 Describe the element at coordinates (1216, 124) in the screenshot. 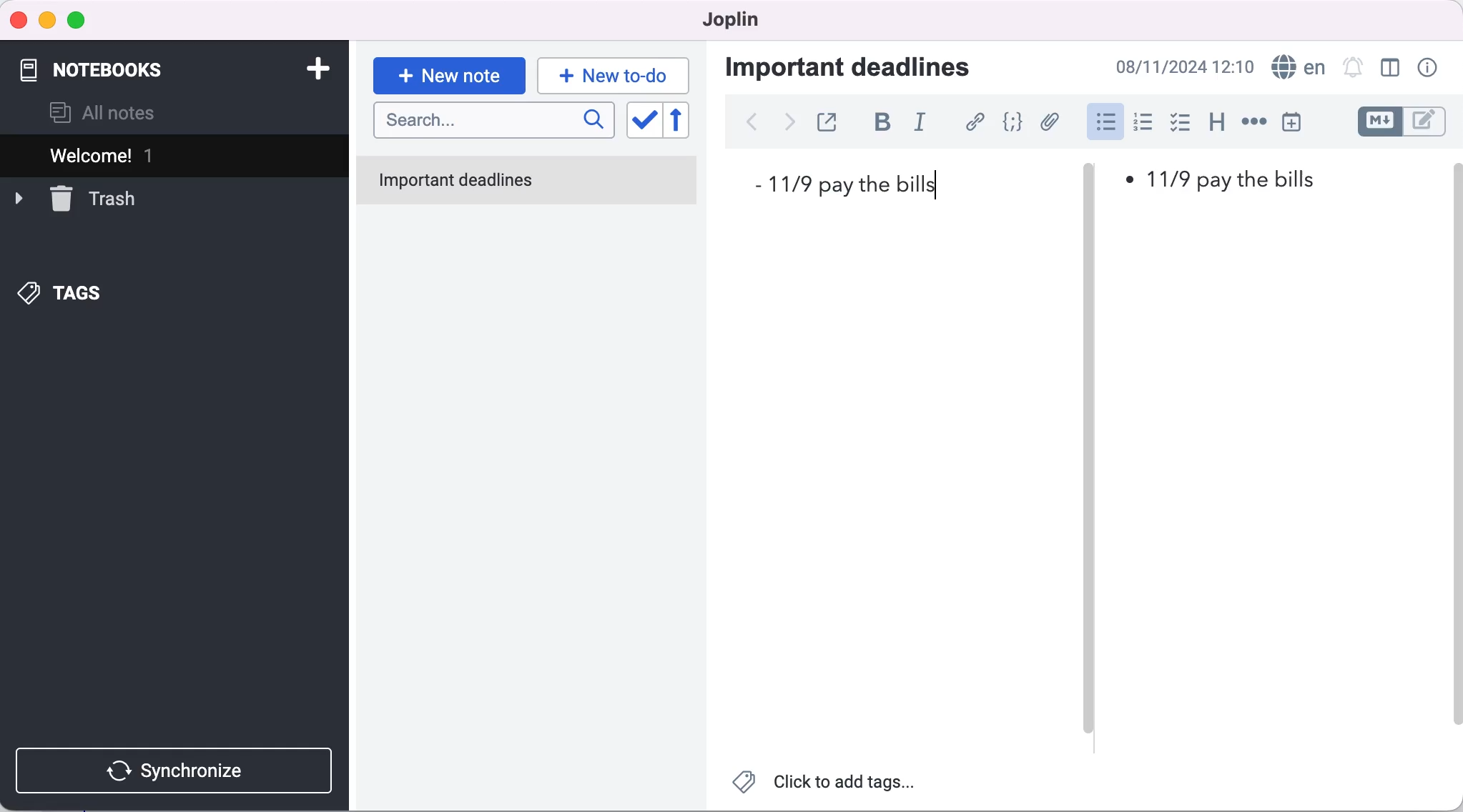

I see `heading` at that location.